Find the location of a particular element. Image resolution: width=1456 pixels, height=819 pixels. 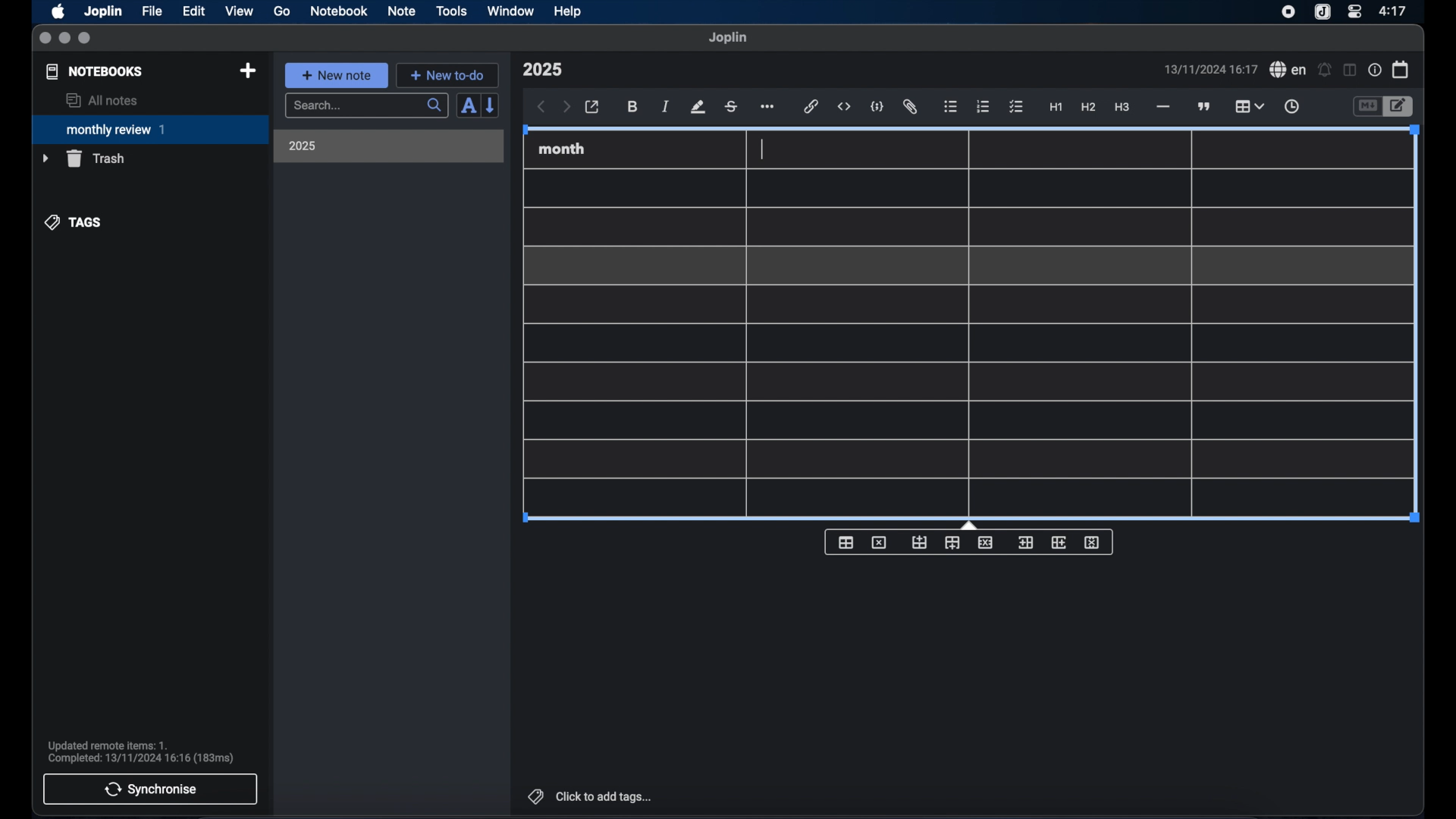

notebooks is located at coordinates (95, 71).